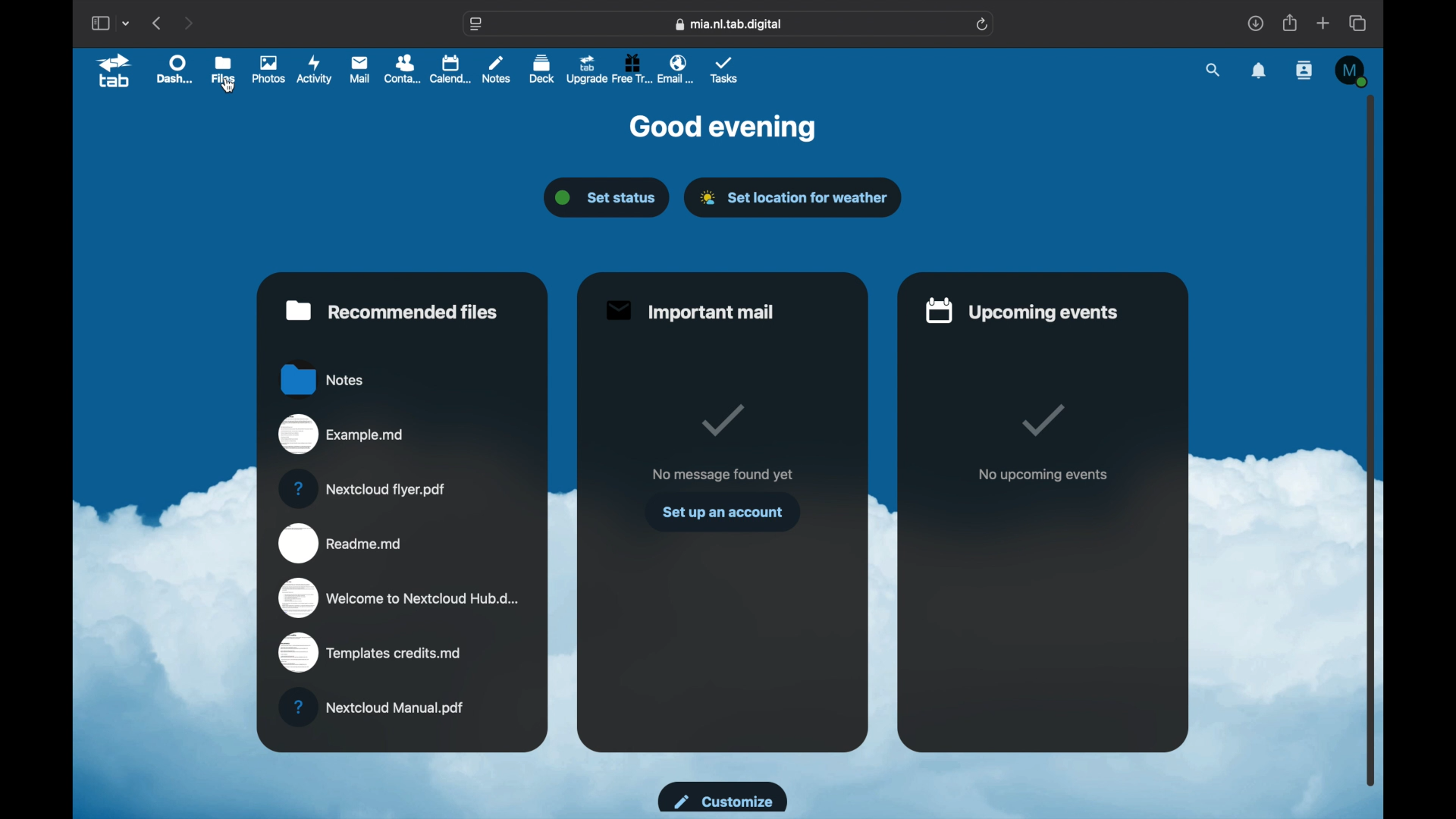  What do you see at coordinates (1214, 71) in the screenshot?
I see `search` at bounding box center [1214, 71].